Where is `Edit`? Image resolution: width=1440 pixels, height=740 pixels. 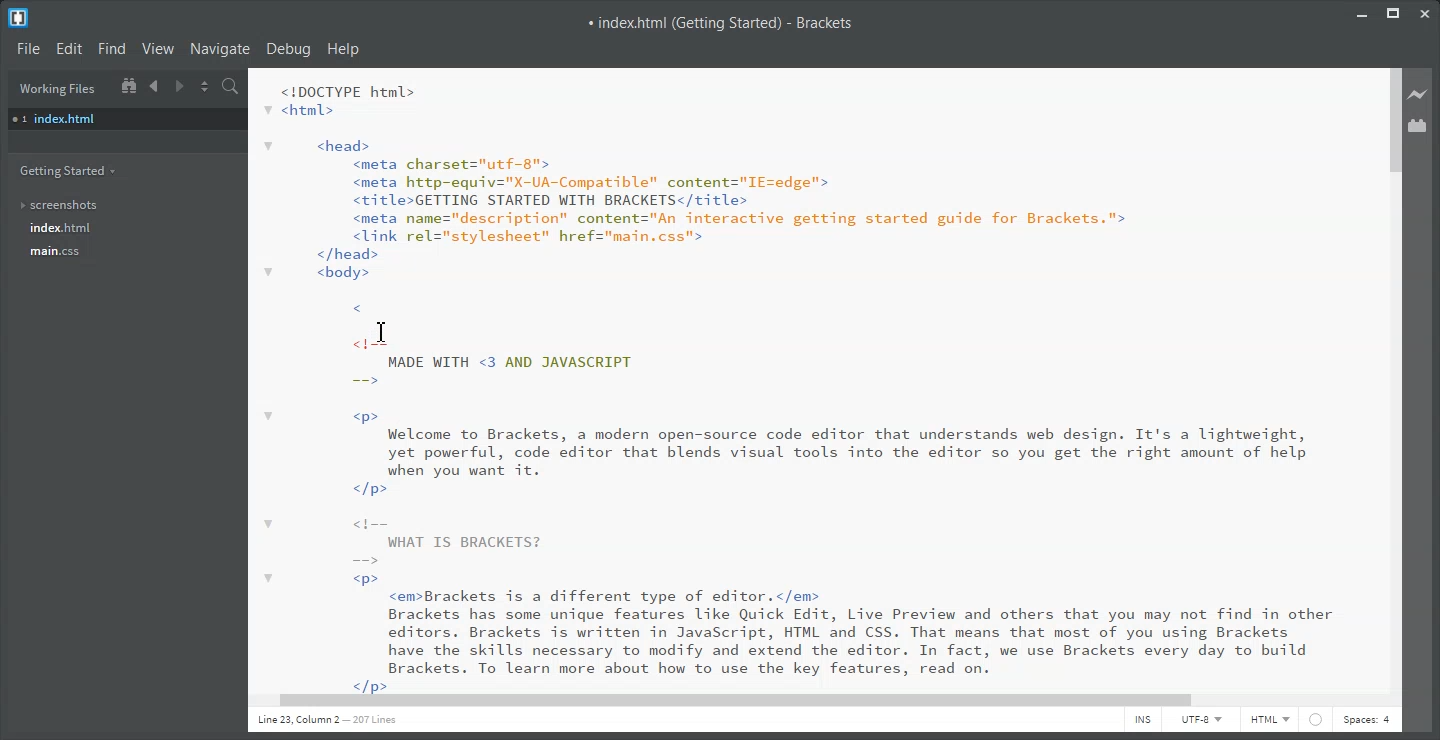
Edit is located at coordinates (69, 49).